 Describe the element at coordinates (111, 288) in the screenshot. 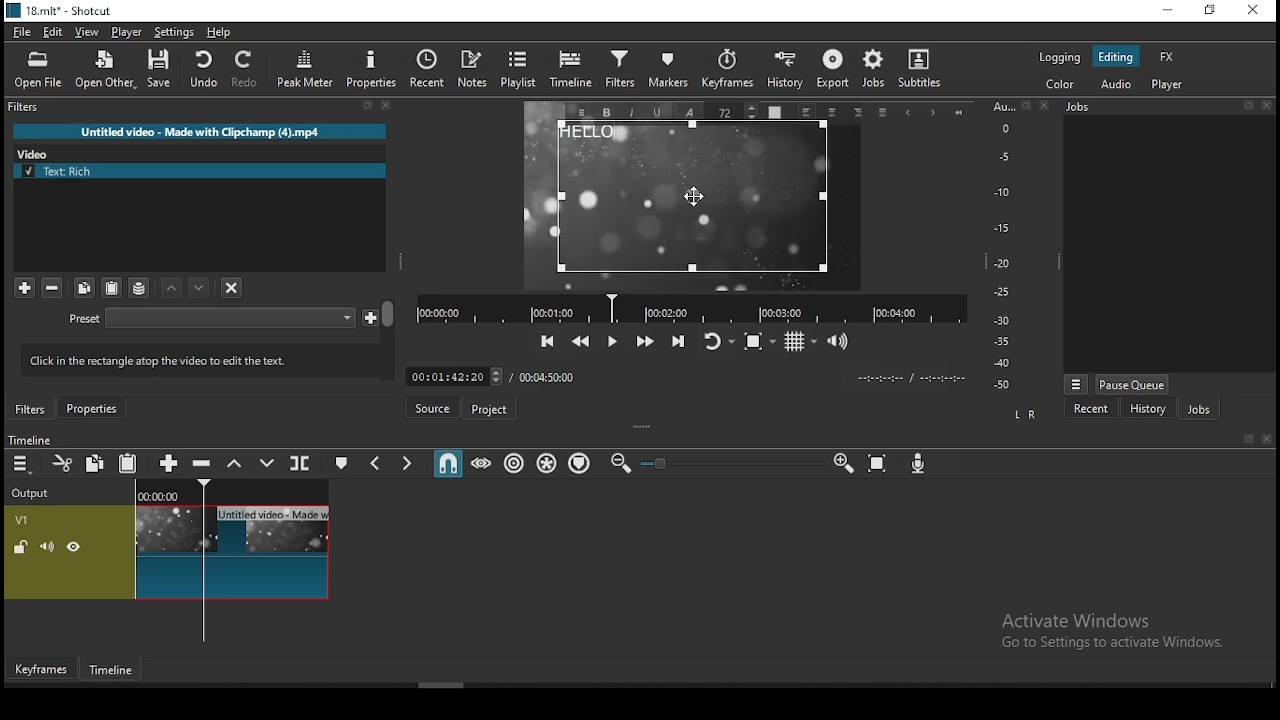

I see `paste` at that location.